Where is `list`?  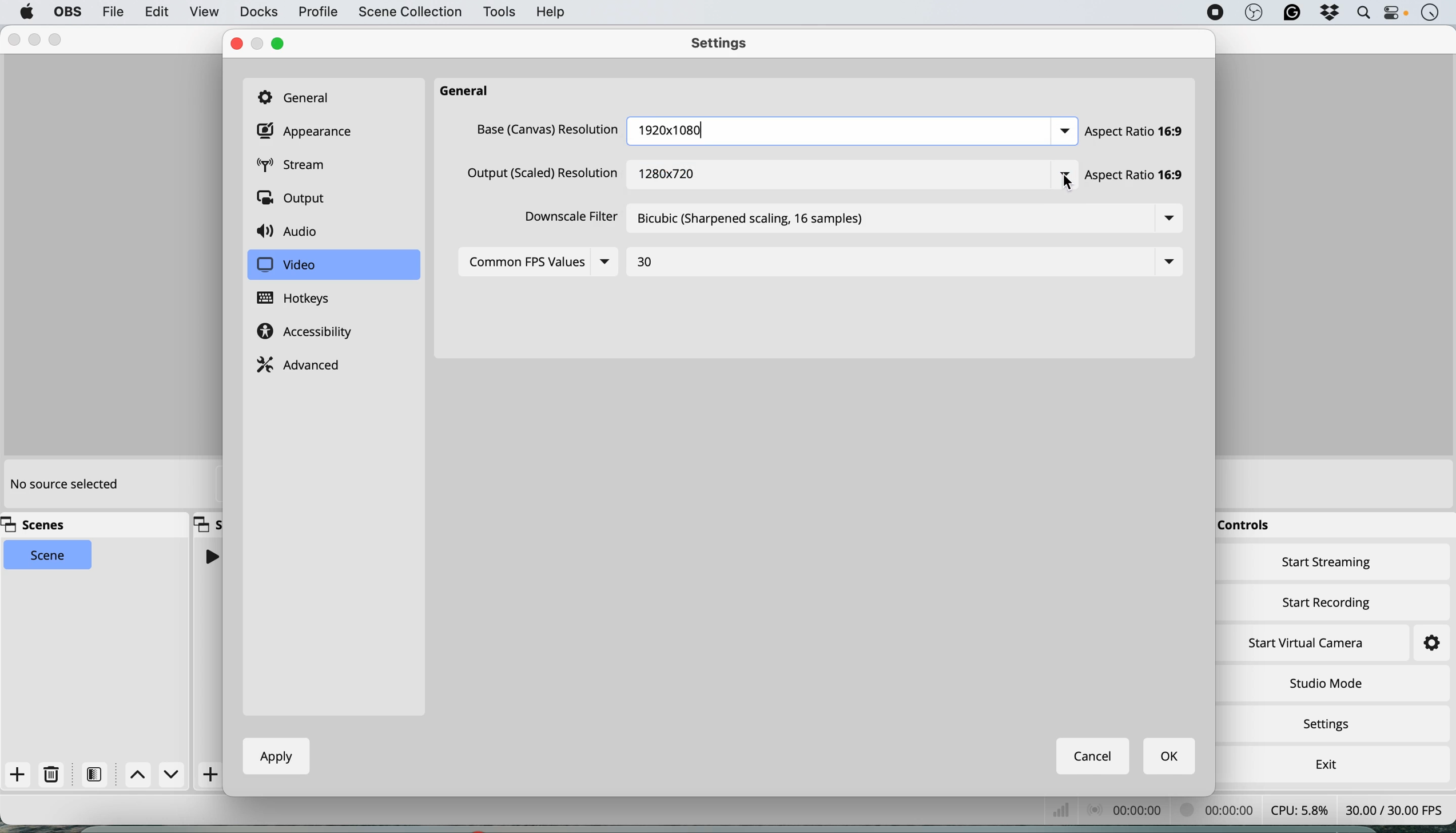
list is located at coordinates (1169, 220).